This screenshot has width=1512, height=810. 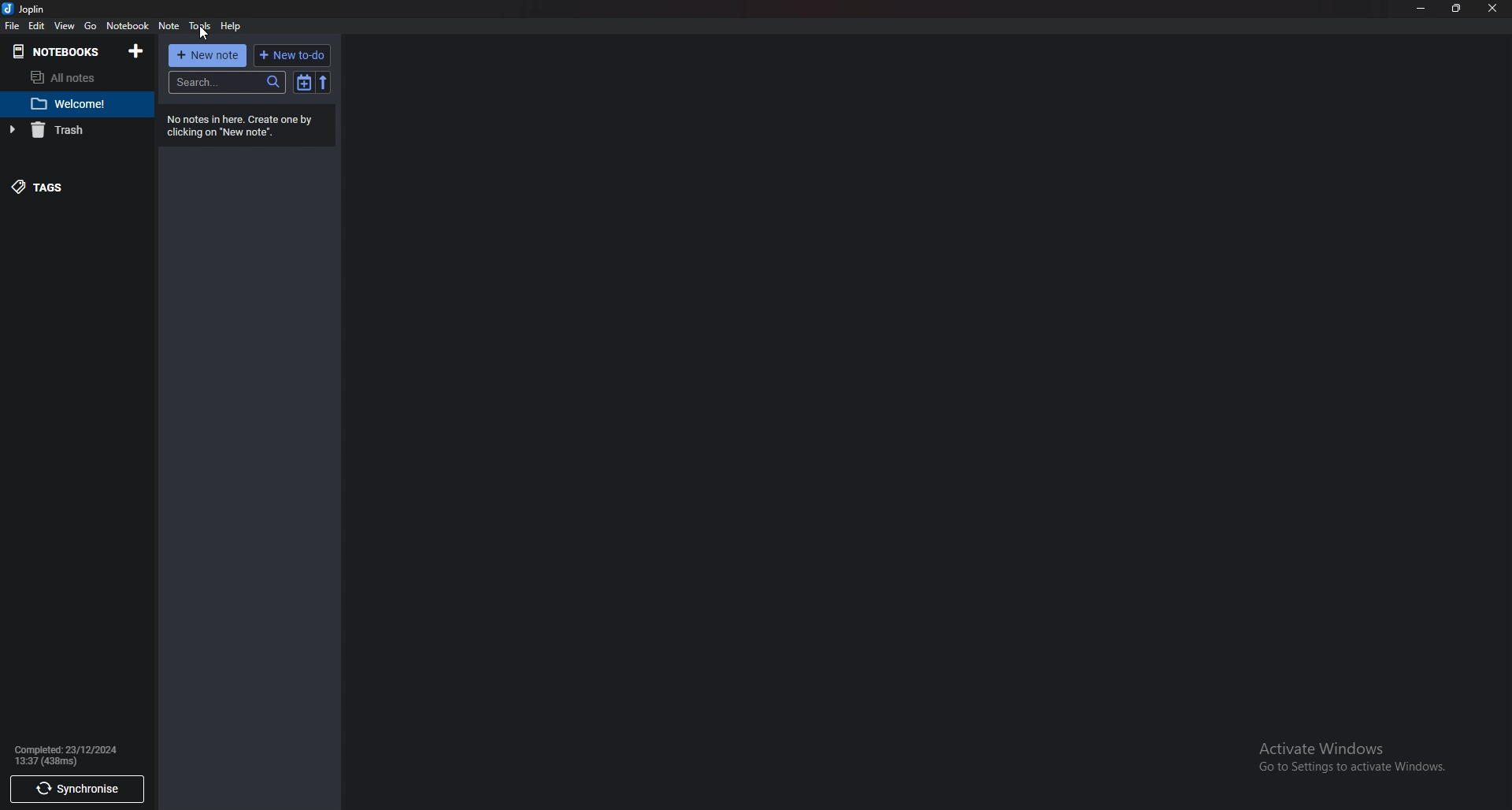 I want to click on help, so click(x=230, y=27).